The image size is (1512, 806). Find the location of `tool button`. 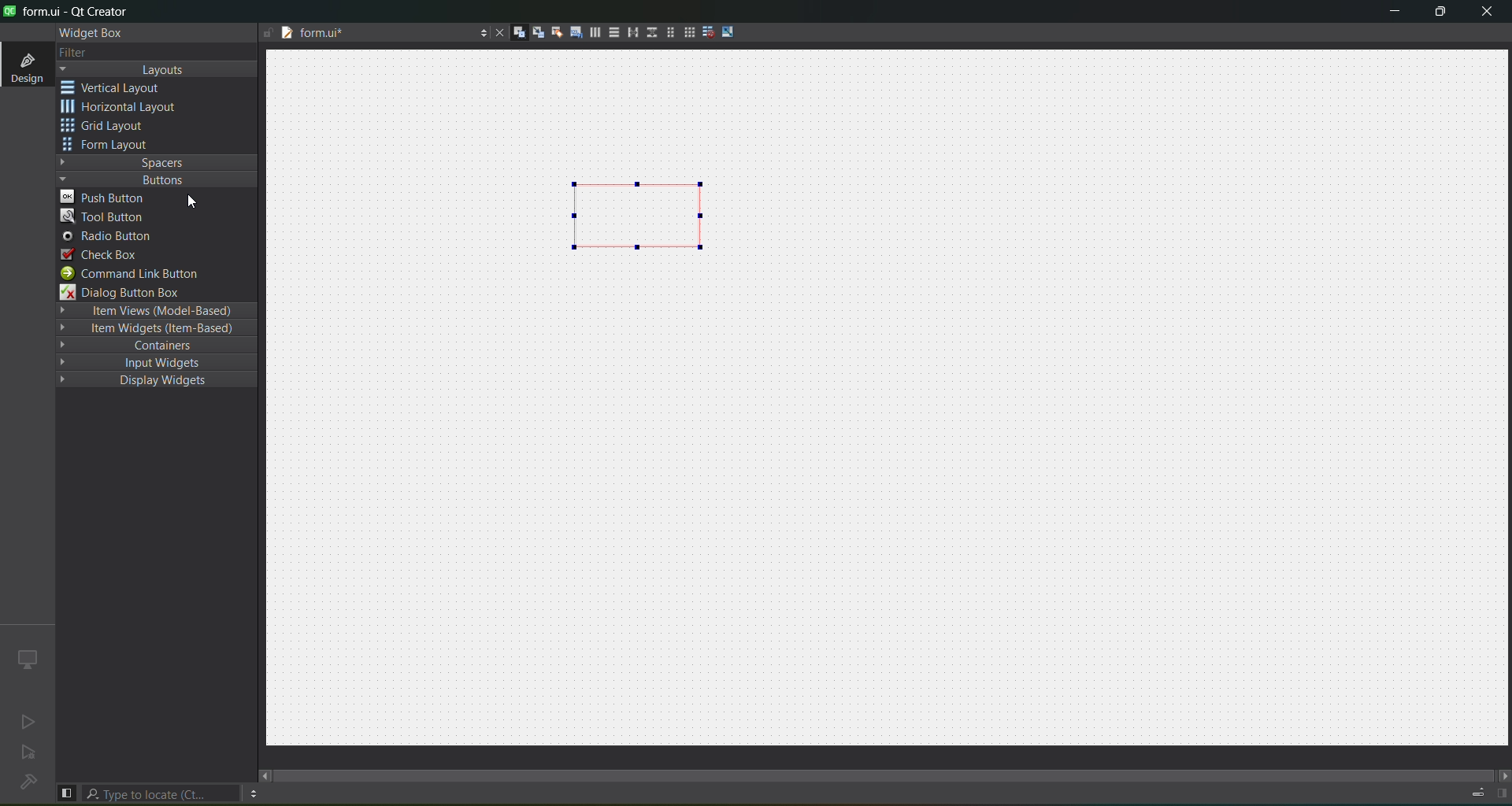

tool button is located at coordinates (104, 218).